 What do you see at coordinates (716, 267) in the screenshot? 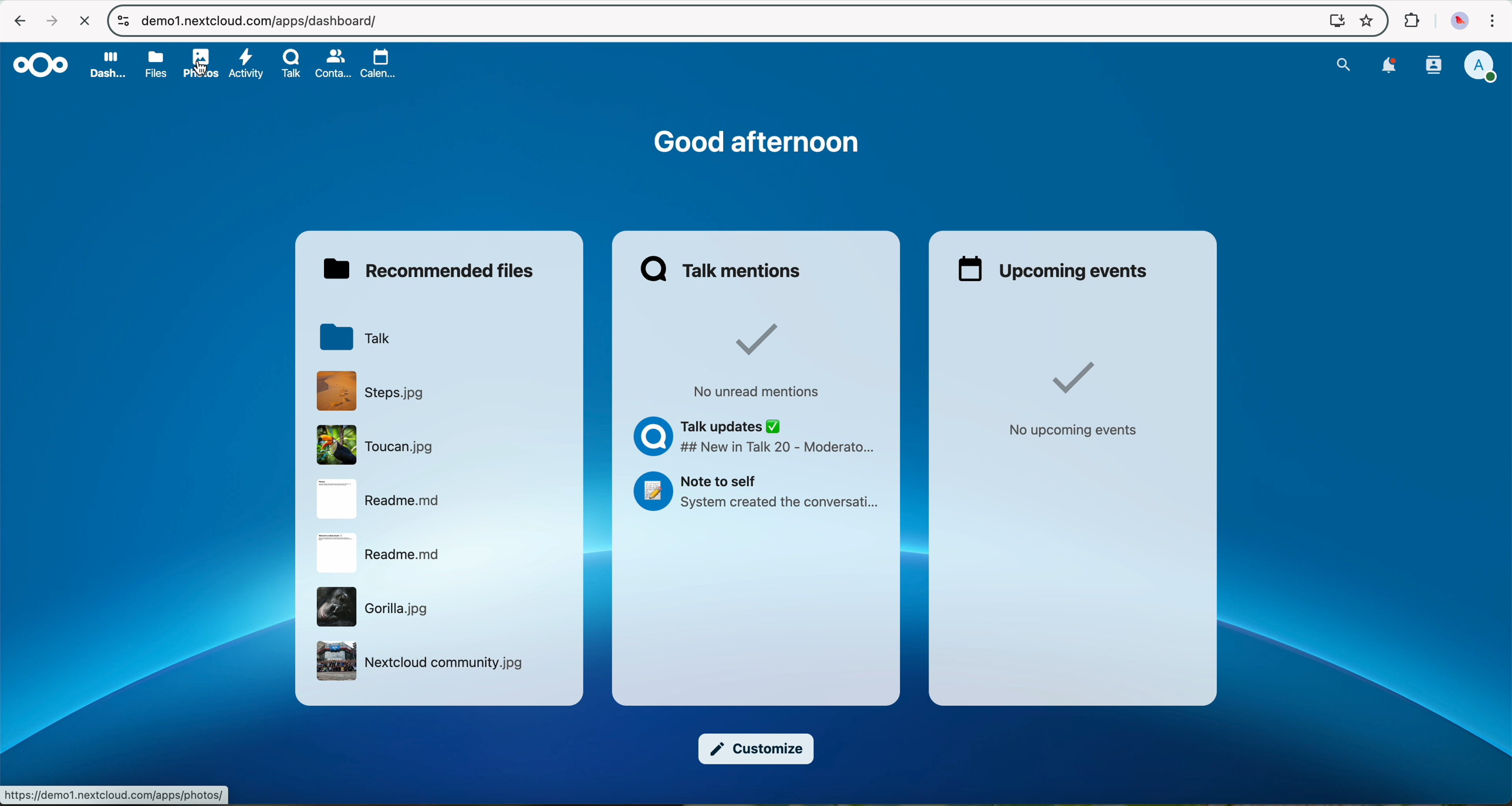
I see `Talk mentions` at bounding box center [716, 267].